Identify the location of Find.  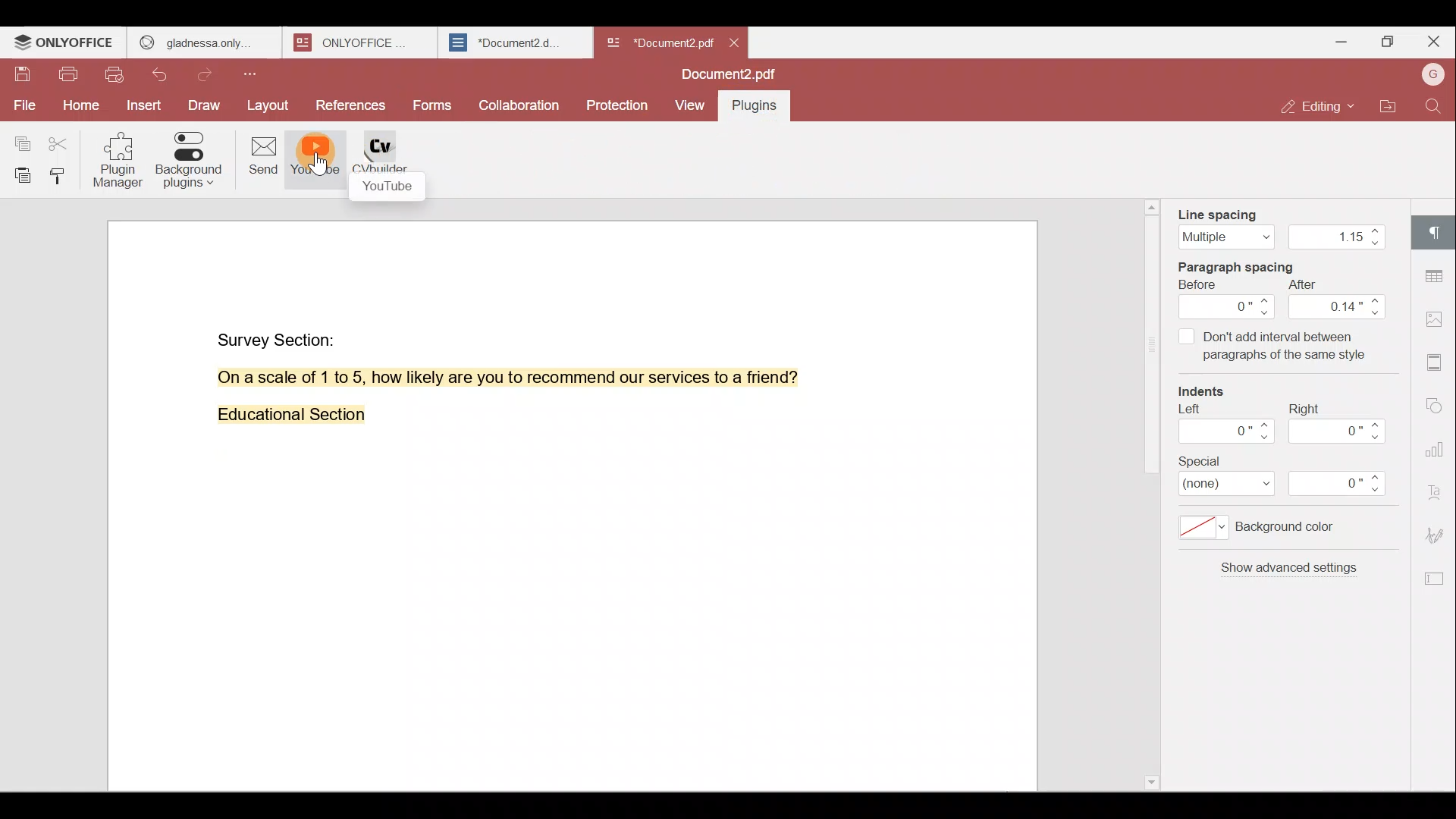
(1436, 106).